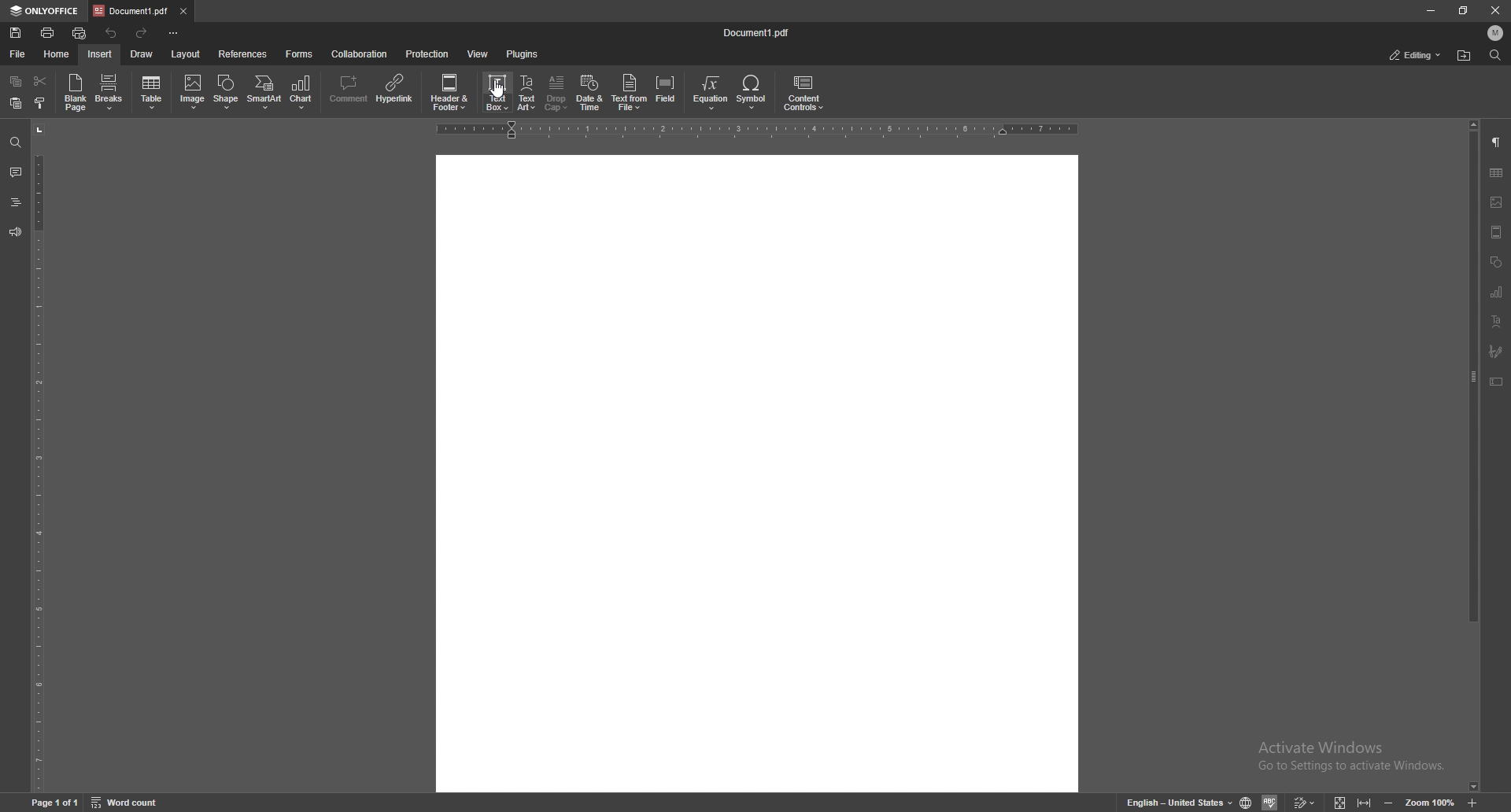 The height and width of the screenshot is (812, 1511). Describe the element at coordinates (45, 12) in the screenshot. I see `onlyoffice` at that location.